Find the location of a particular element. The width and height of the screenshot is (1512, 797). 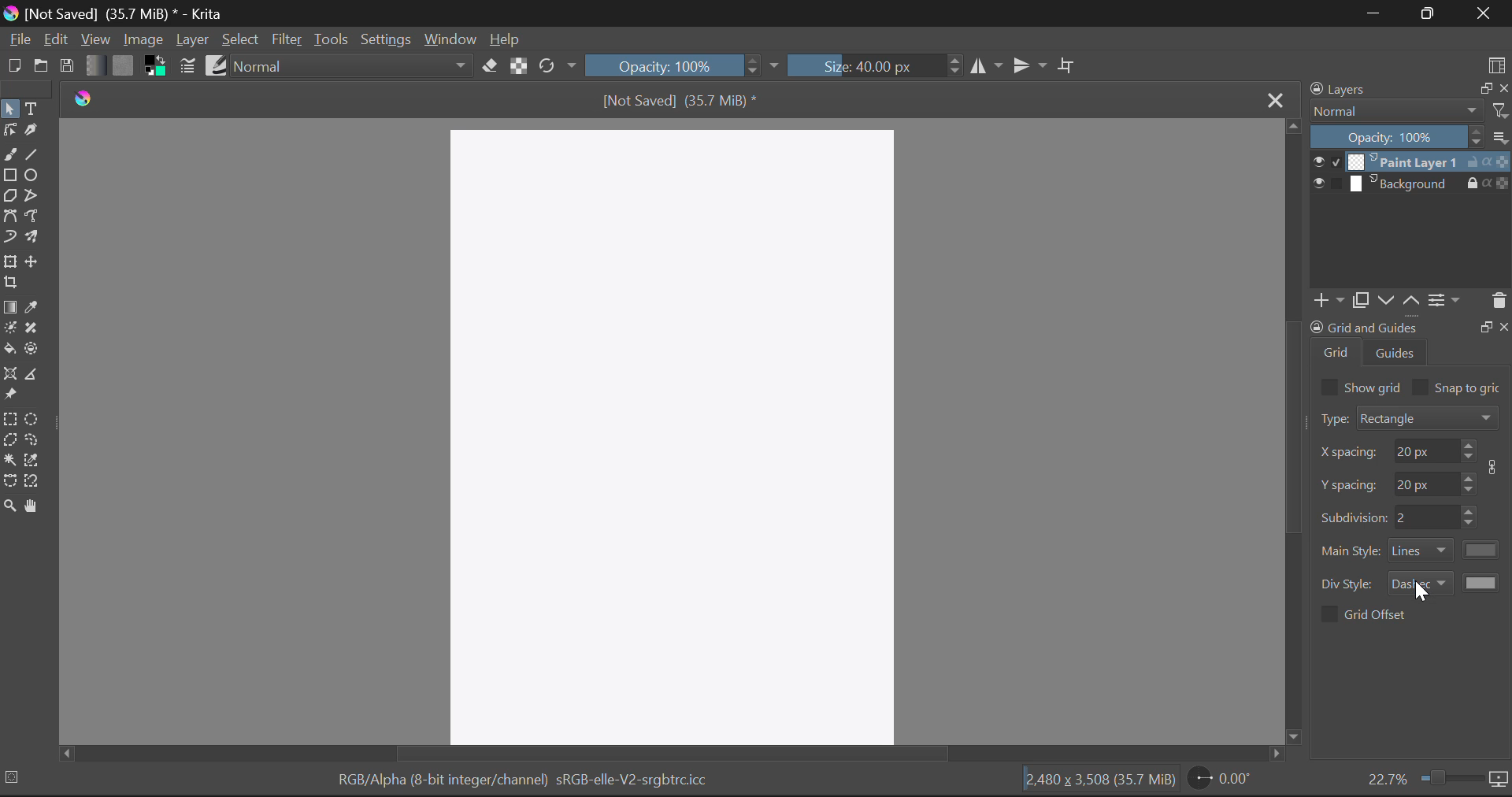

Layer is located at coordinates (193, 40).